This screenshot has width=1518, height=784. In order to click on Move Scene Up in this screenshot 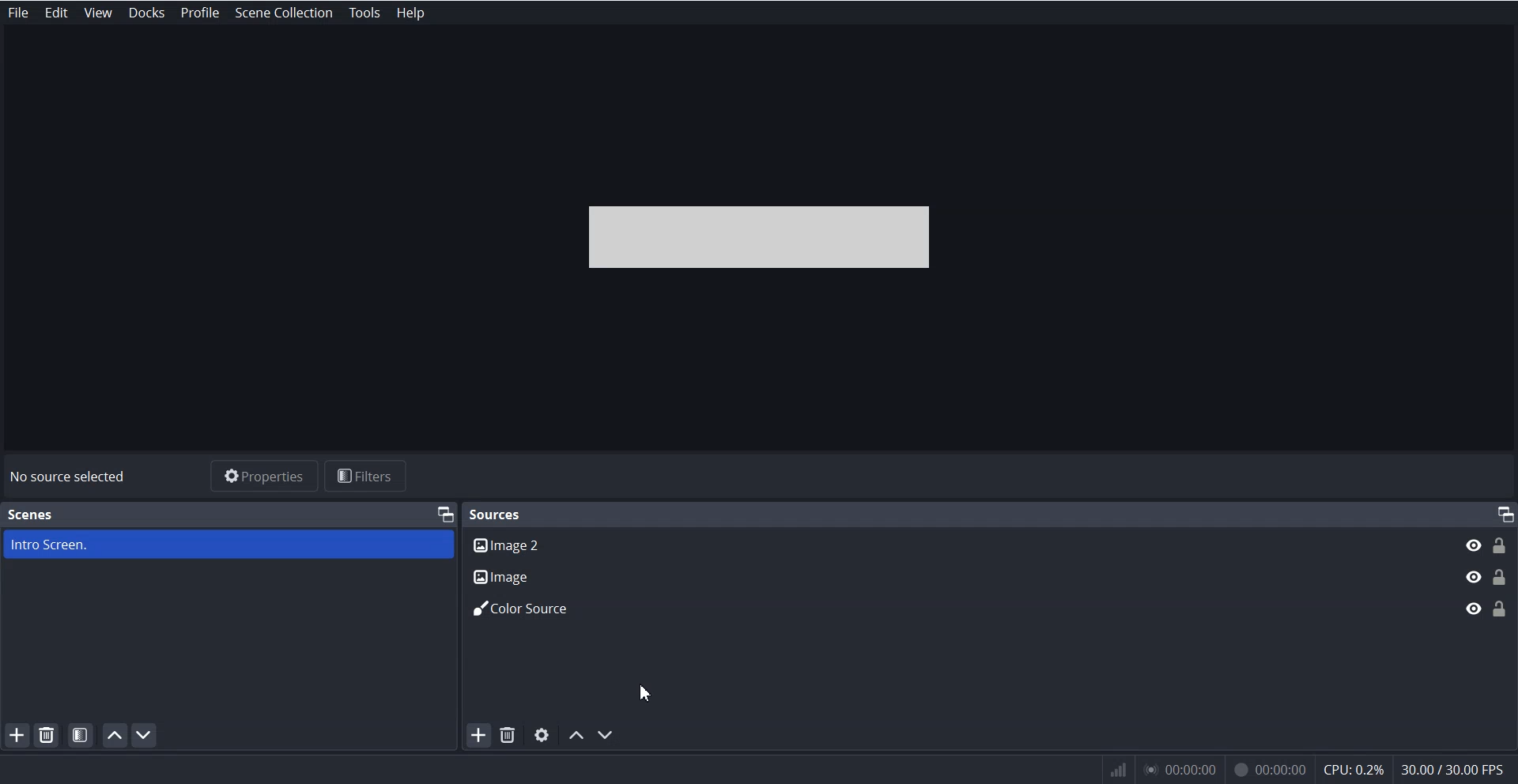, I will do `click(115, 735)`.